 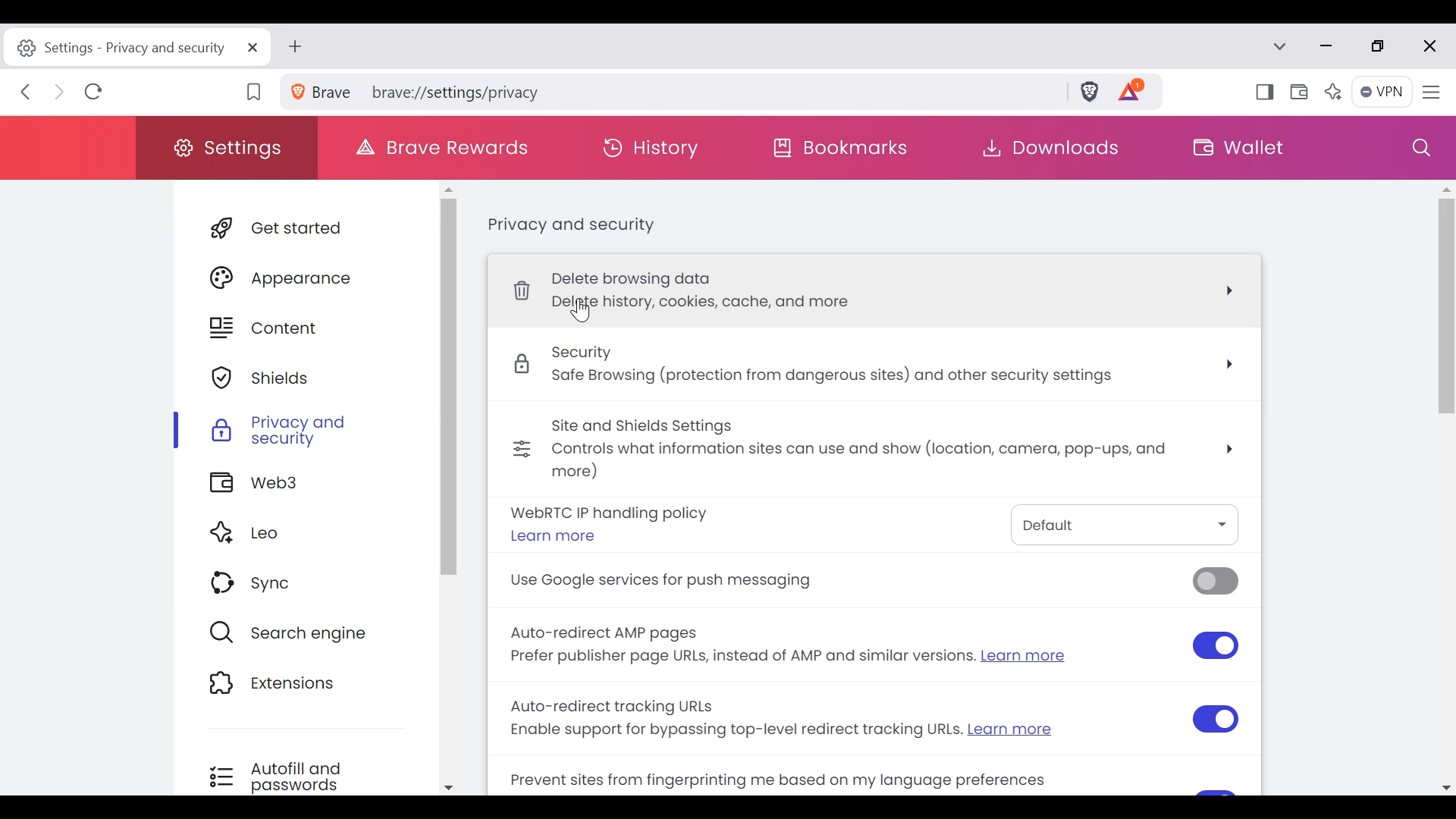 What do you see at coordinates (299, 485) in the screenshot?
I see `Web3` at bounding box center [299, 485].